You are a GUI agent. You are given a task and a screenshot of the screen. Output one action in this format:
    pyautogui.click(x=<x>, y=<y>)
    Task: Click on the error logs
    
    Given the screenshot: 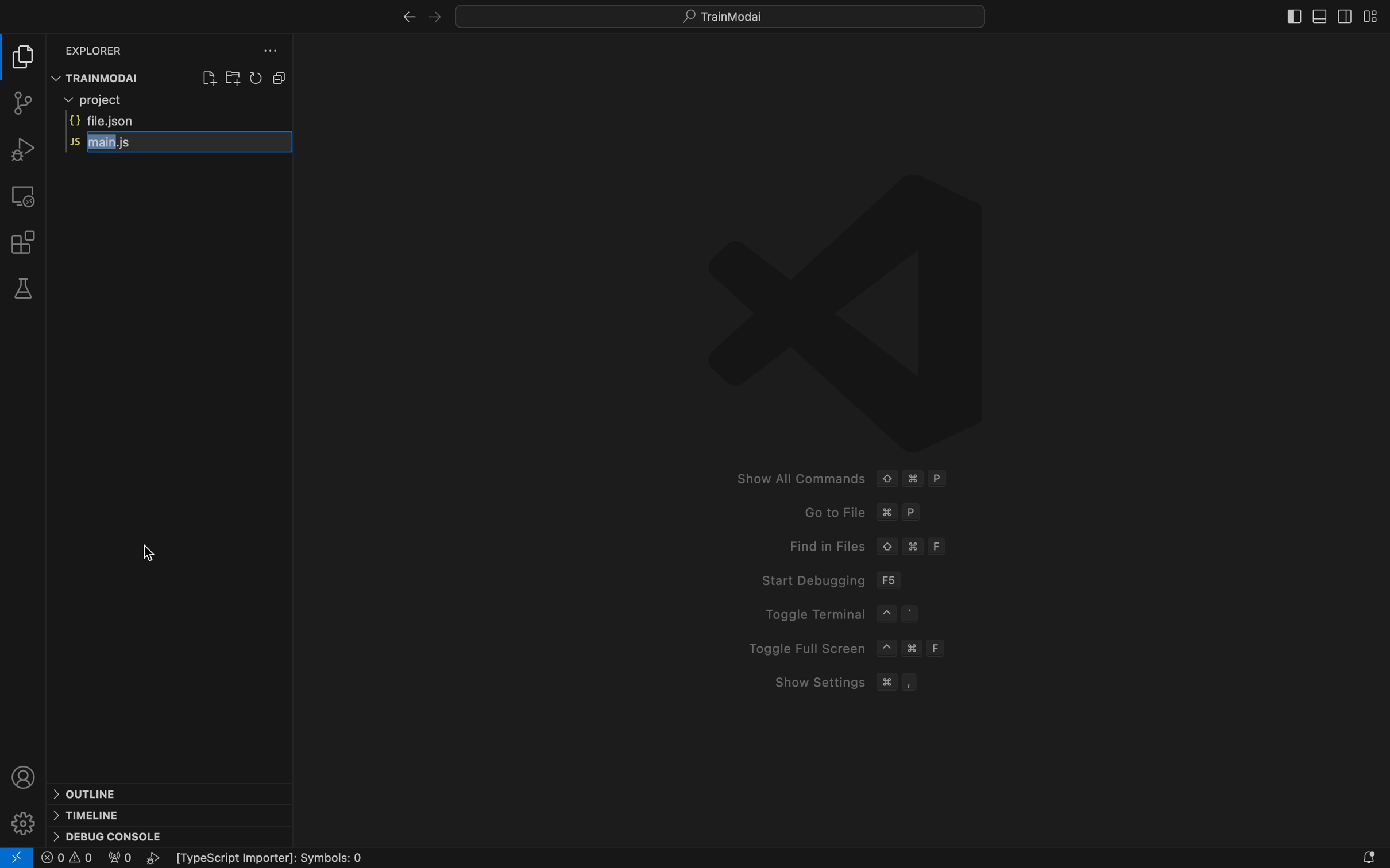 What is the action you would take?
    pyautogui.click(x=68, y=858)
    